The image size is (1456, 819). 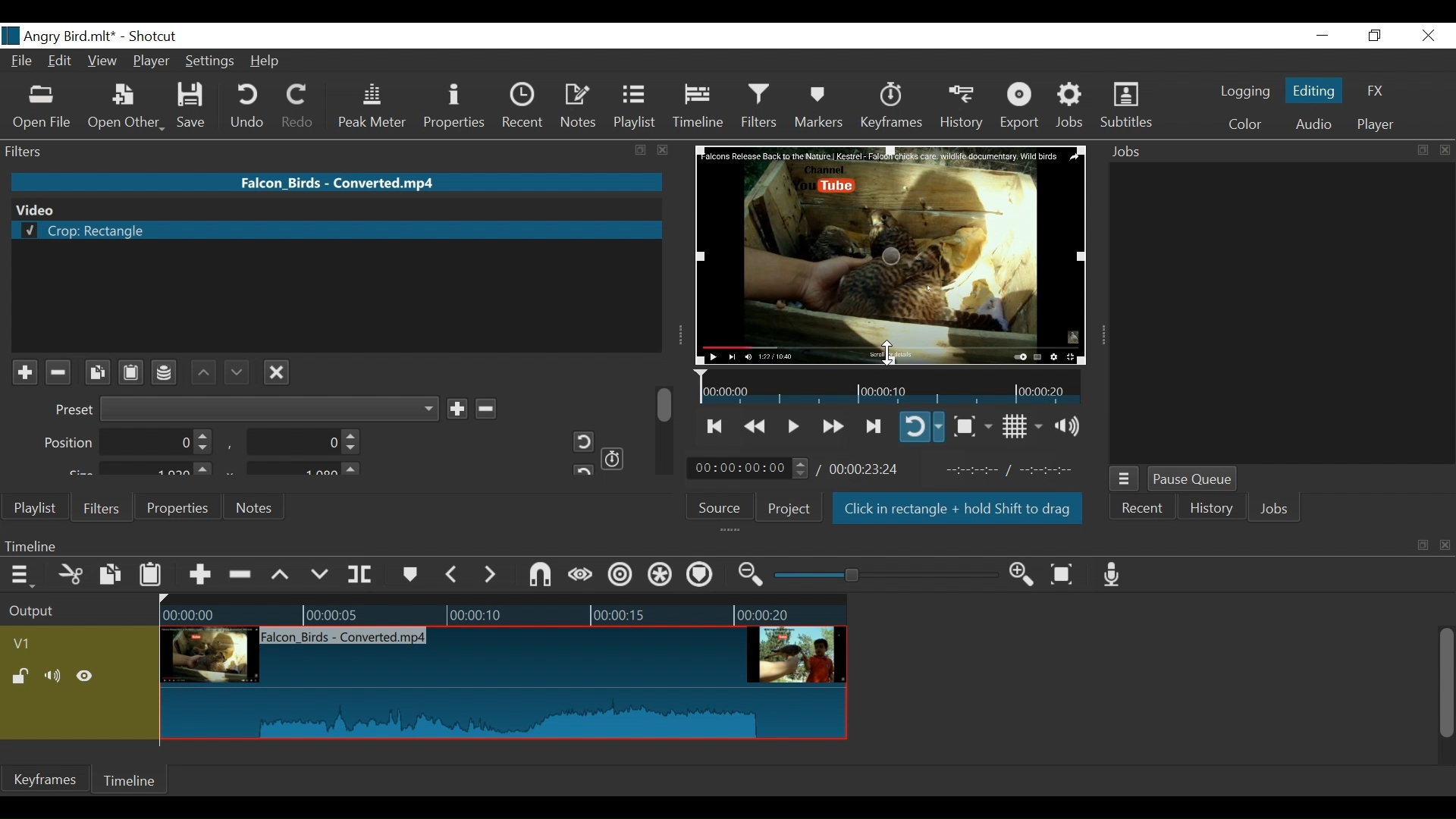 What do you see at coordinates (85, 679) in the screenshot?
I see `Hide` at bounding box center [85, 679].